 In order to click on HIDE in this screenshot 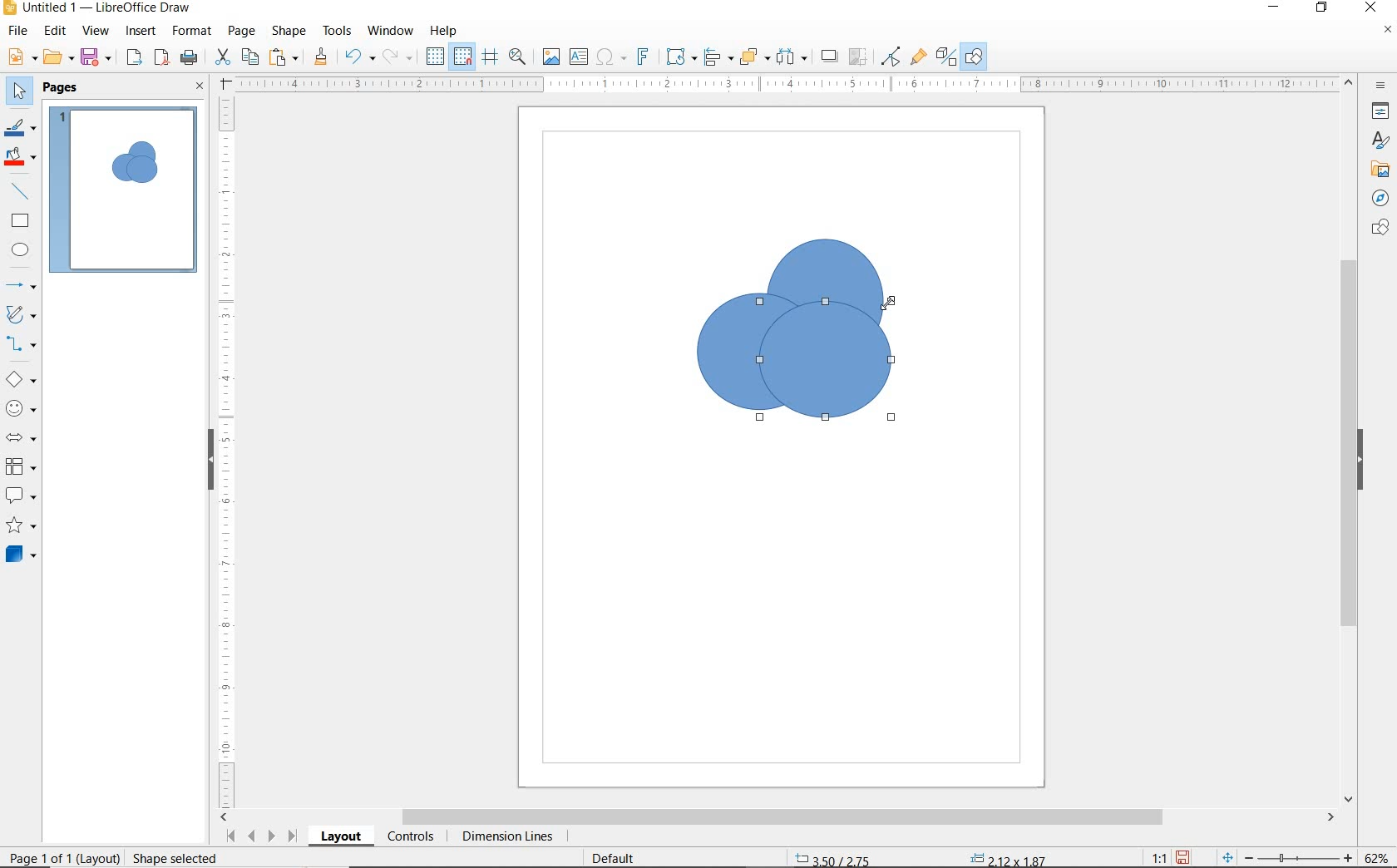, I will do `click(208, 457)`.